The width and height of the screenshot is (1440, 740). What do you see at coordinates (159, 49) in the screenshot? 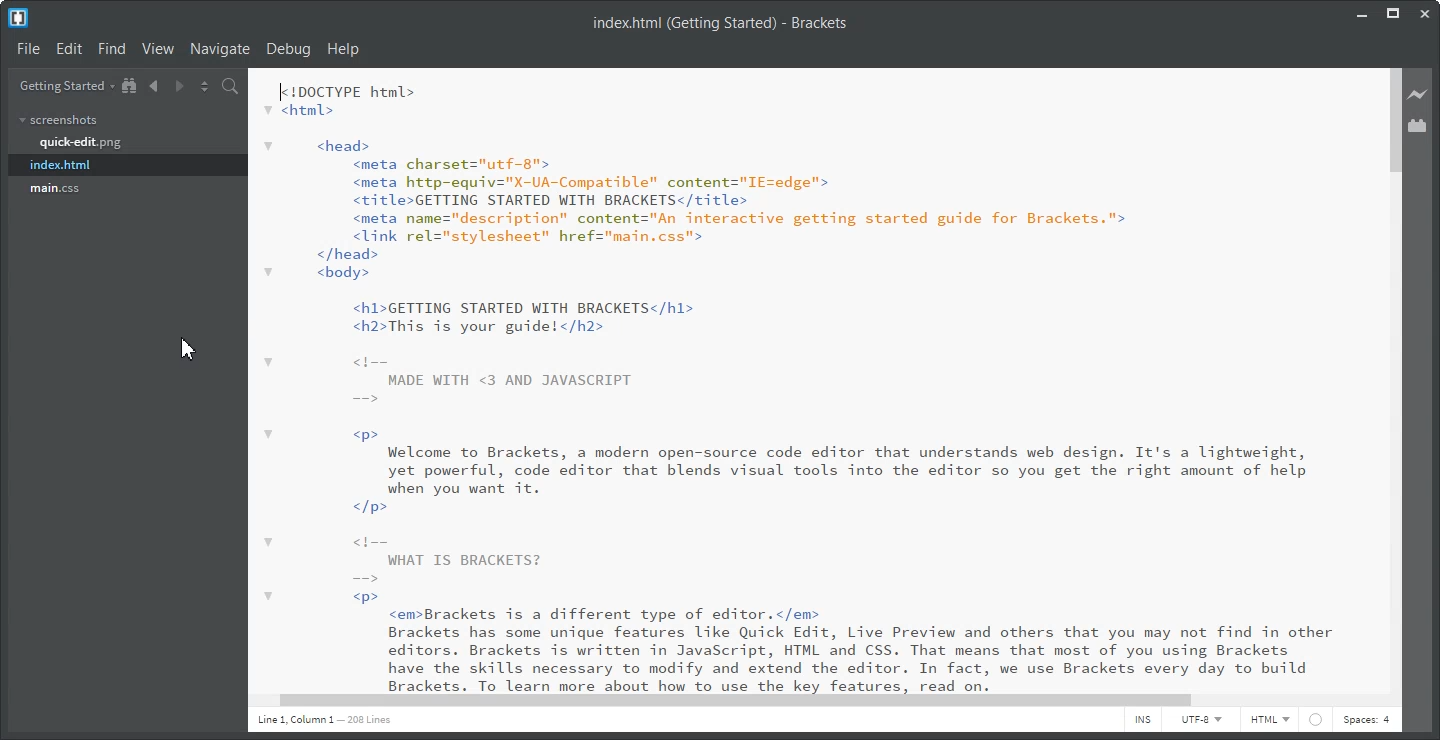
I see `View` at bounding box center [159, 49].